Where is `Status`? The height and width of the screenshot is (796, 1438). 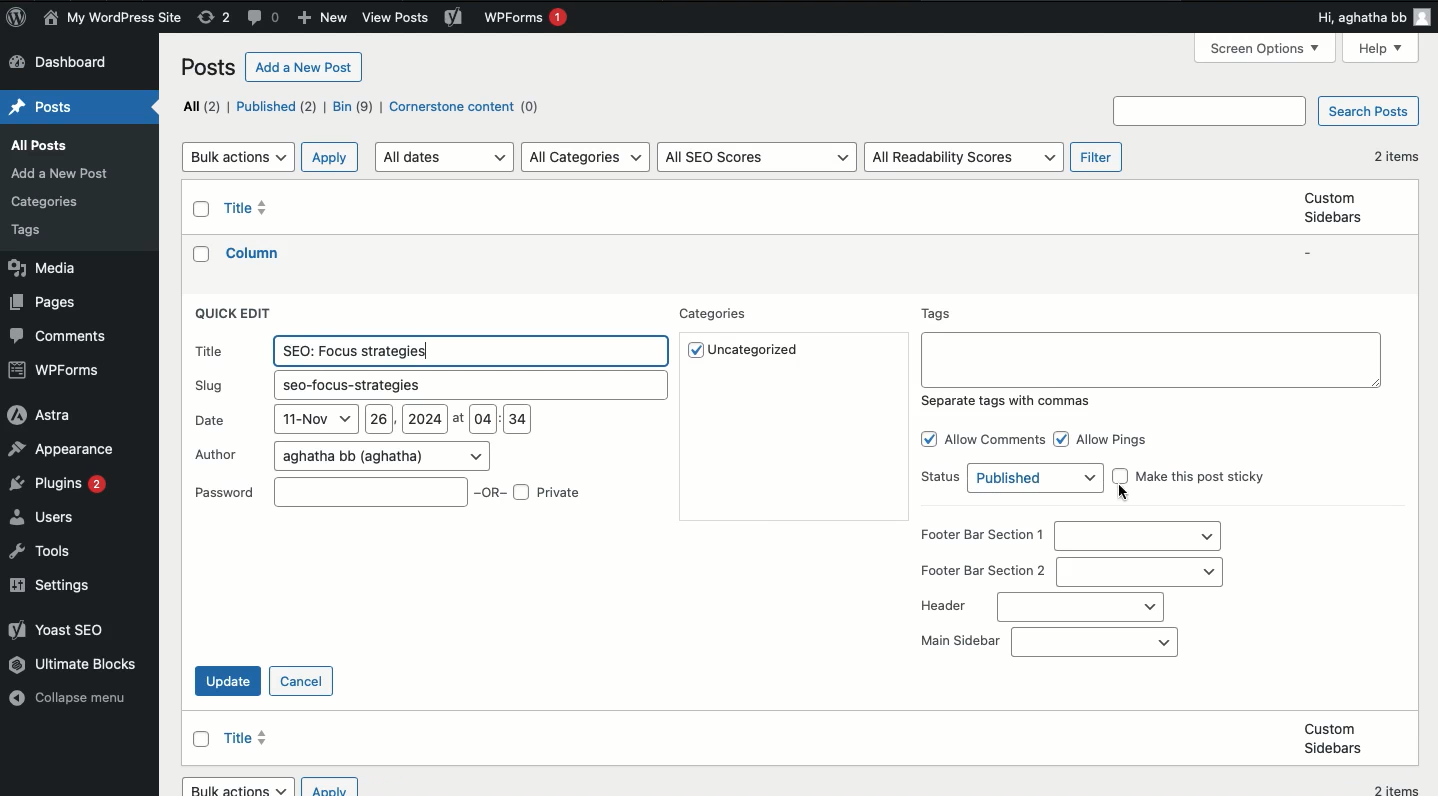 Status is located at coordinates (940, 477).